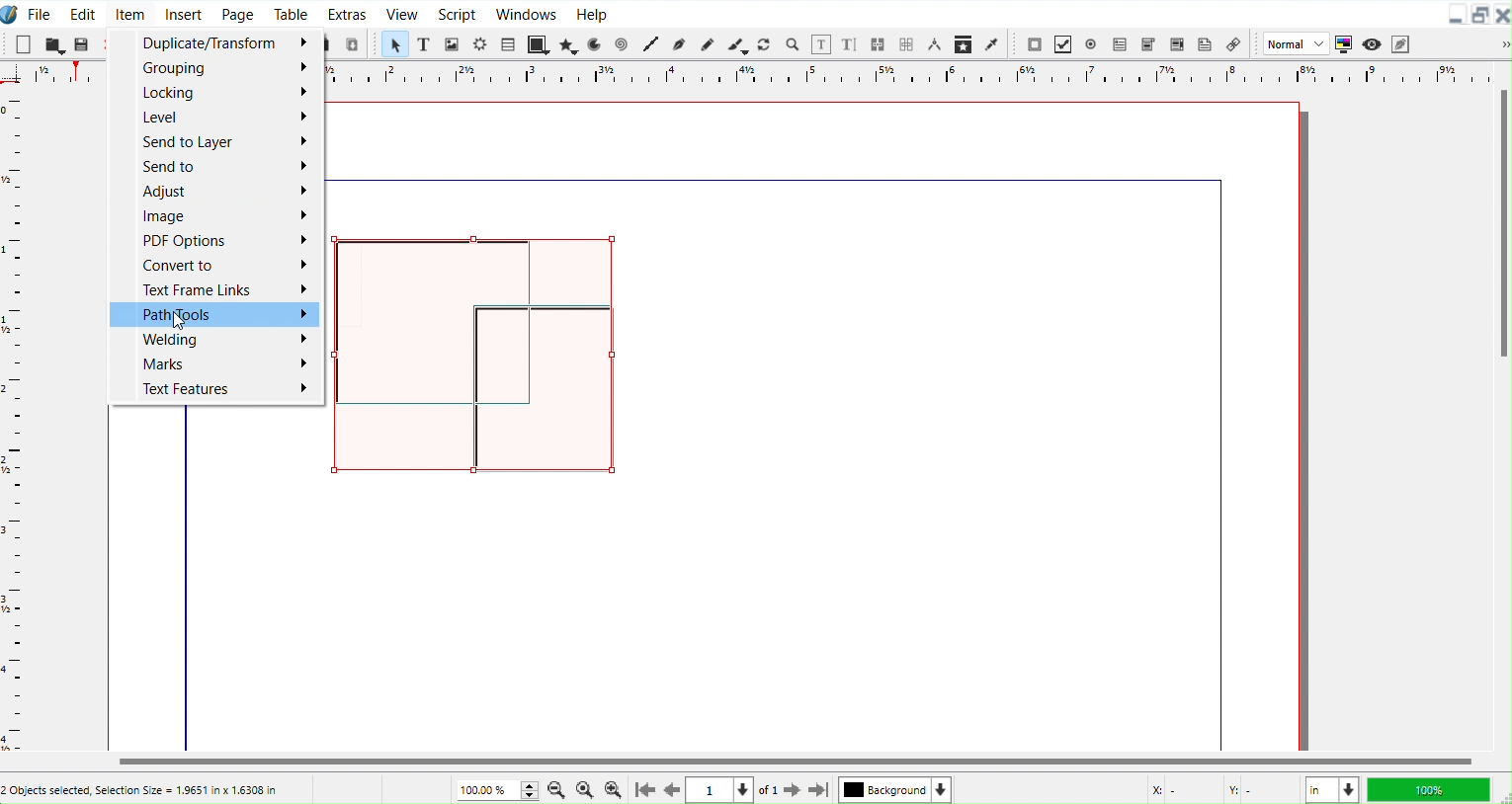 The height and width of the screenshot is (804, 1512). Describe the element at coordinates (569, 45) in the screenshot. I see `Polygon` at that location.